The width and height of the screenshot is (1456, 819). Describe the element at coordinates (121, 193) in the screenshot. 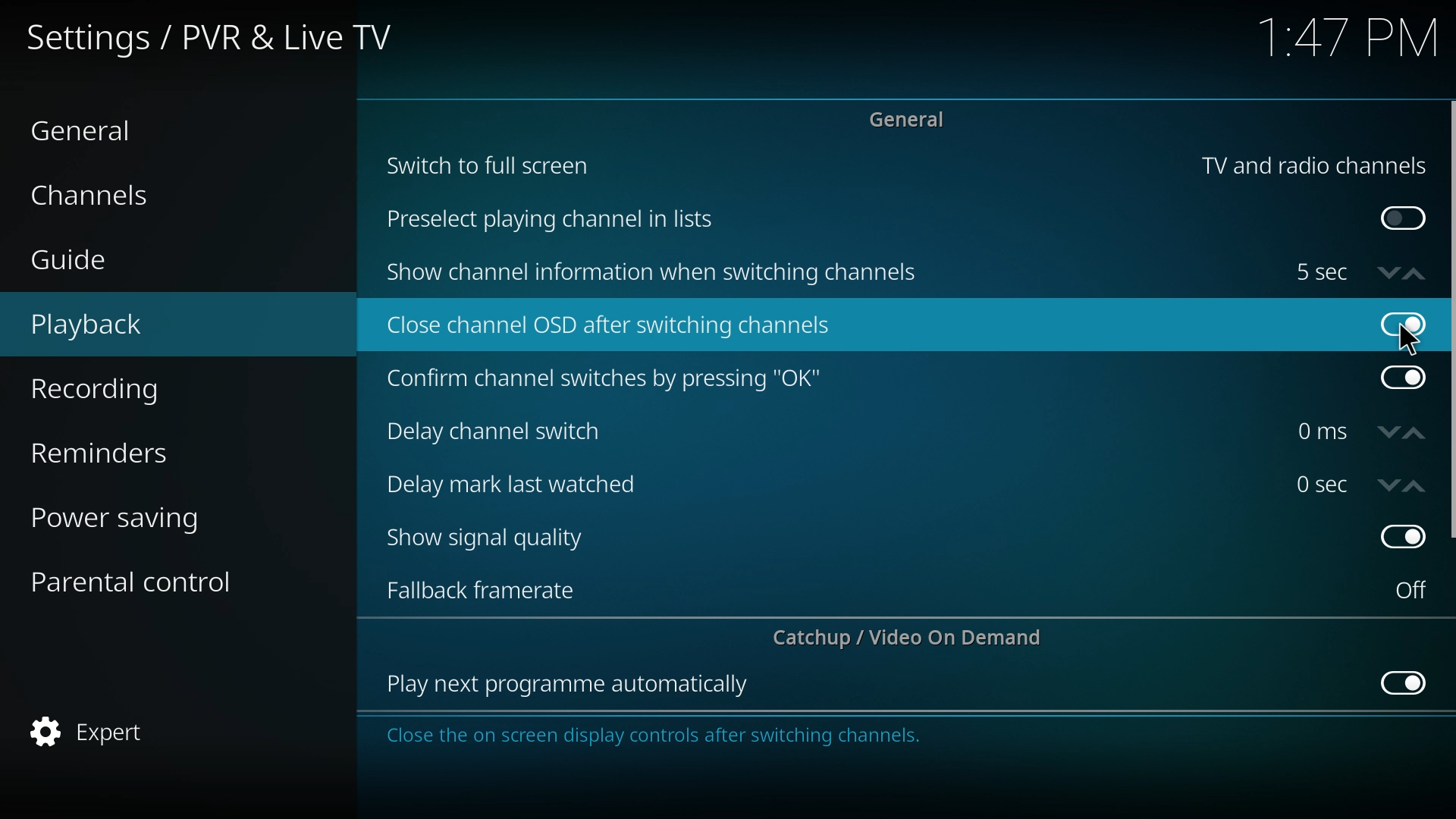

I see `channels` at that location.